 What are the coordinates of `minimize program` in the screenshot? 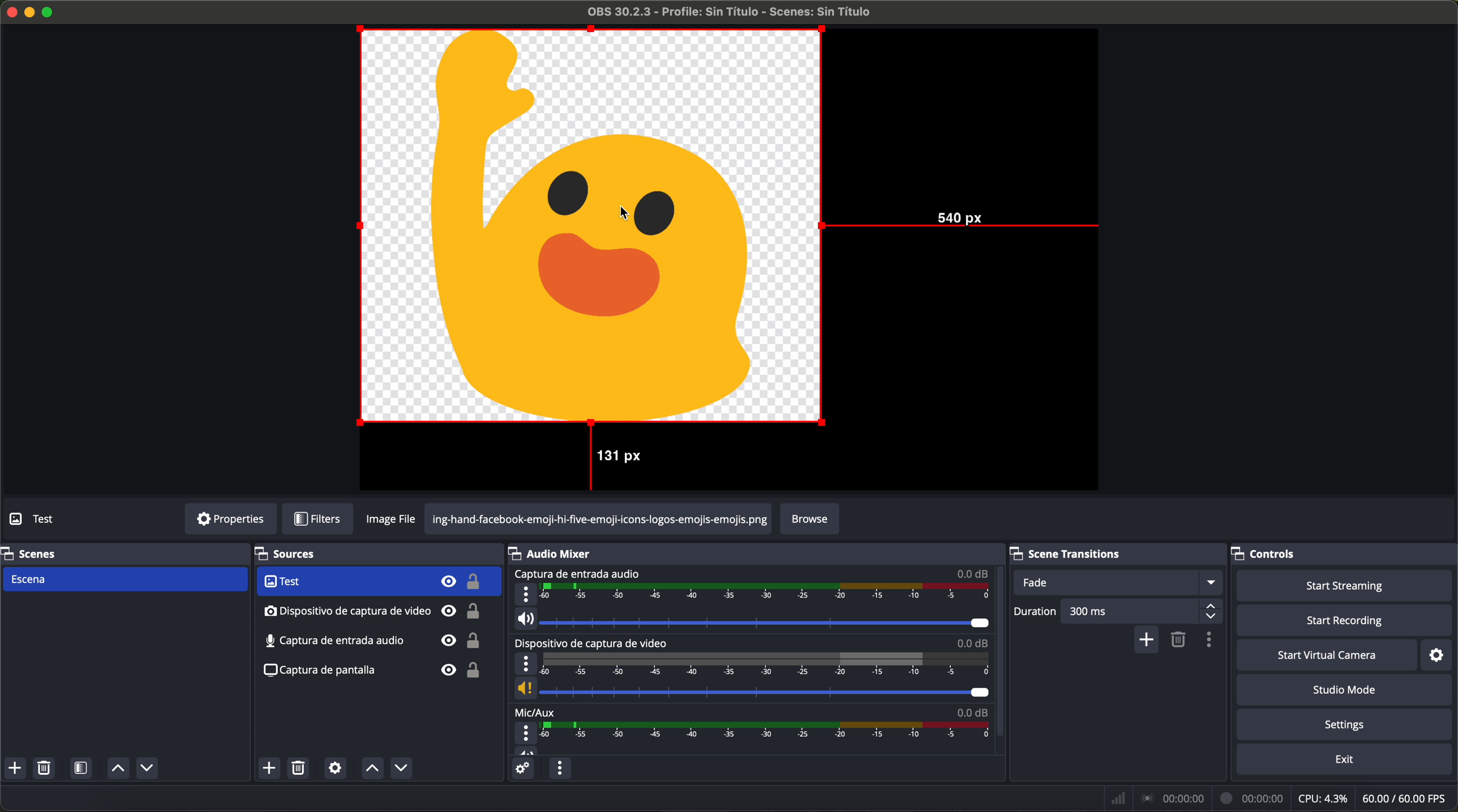 It's located at (30, 12).